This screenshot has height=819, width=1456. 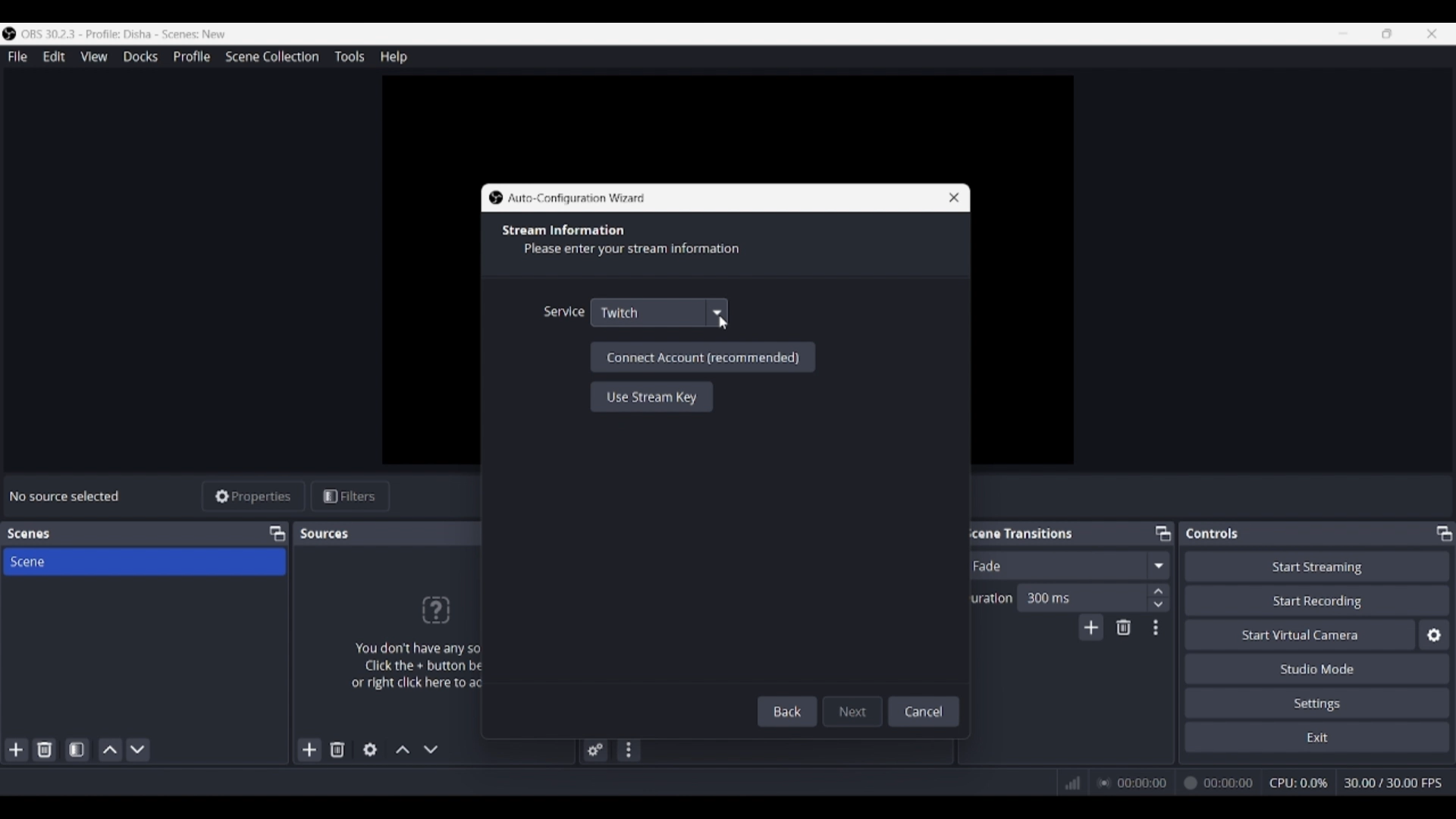 I want to click on Next, so click(x=854, y=708).